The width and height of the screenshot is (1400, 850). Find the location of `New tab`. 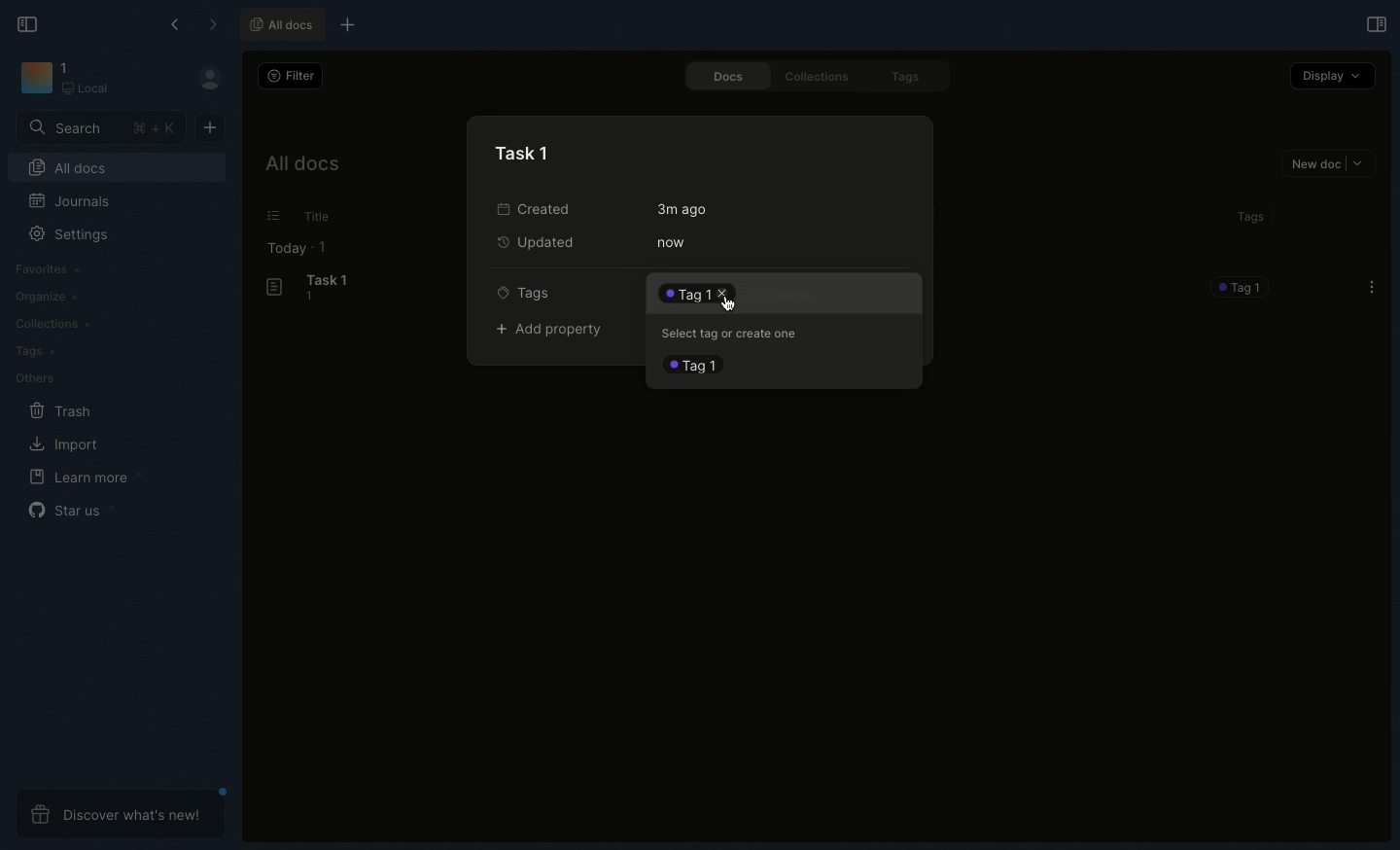

New tab is located at coordinates (349, 24).